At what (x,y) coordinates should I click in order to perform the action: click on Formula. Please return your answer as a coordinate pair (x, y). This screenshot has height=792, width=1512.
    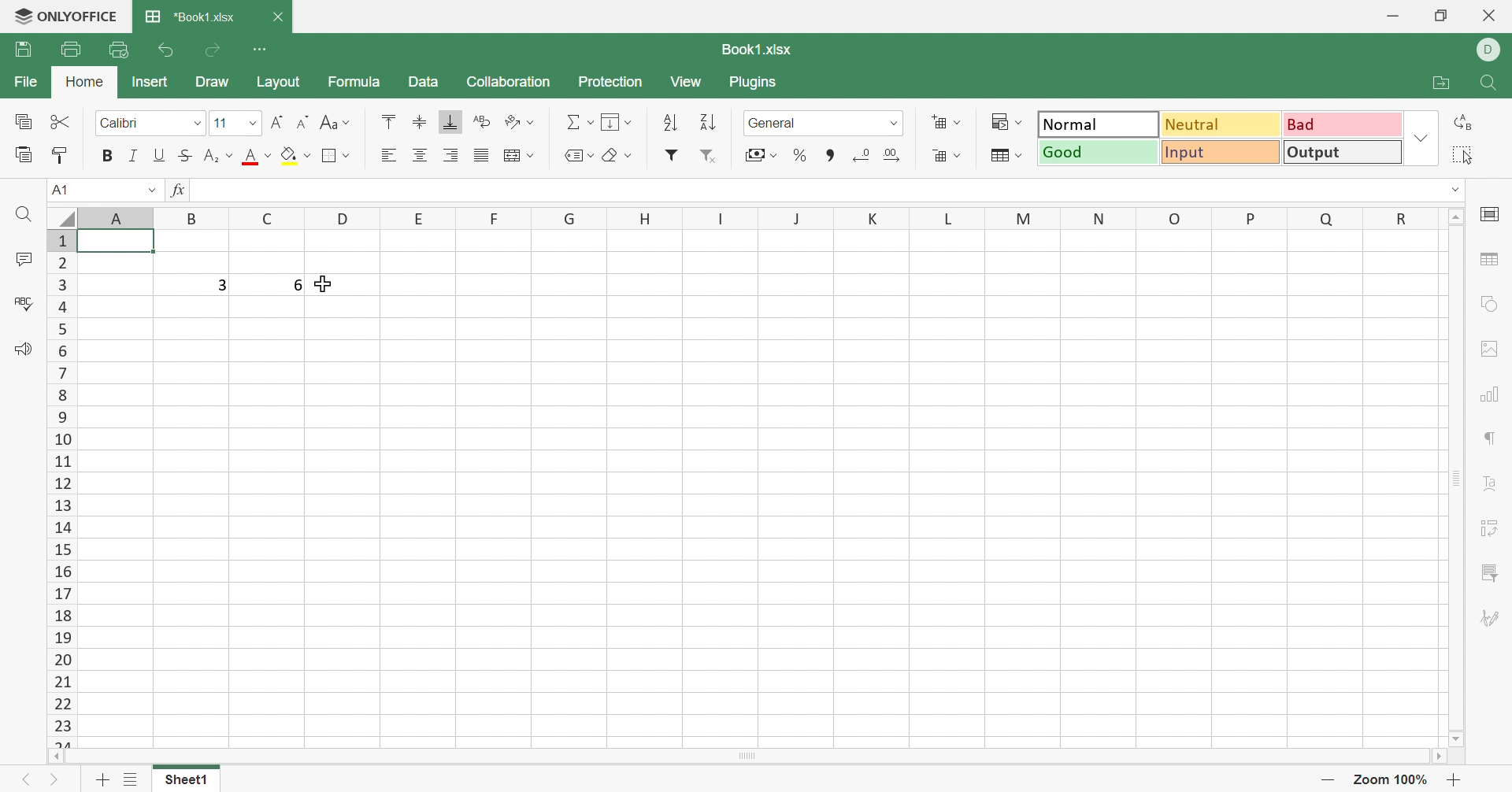
    Looking at the image, I should click on (354, 81).